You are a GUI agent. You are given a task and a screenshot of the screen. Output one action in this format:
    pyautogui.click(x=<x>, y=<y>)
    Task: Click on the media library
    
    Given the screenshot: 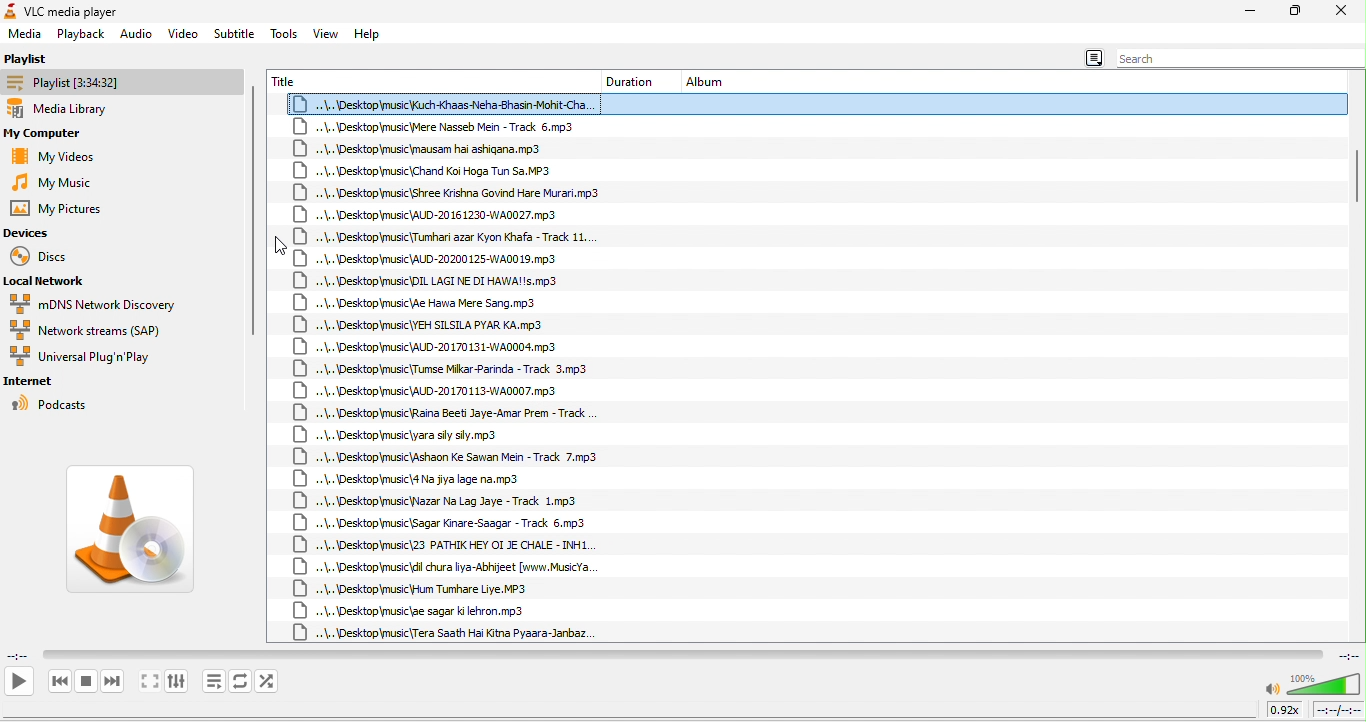 What is the action you would take?
    pyautogui.click(x=73, y=110)
    